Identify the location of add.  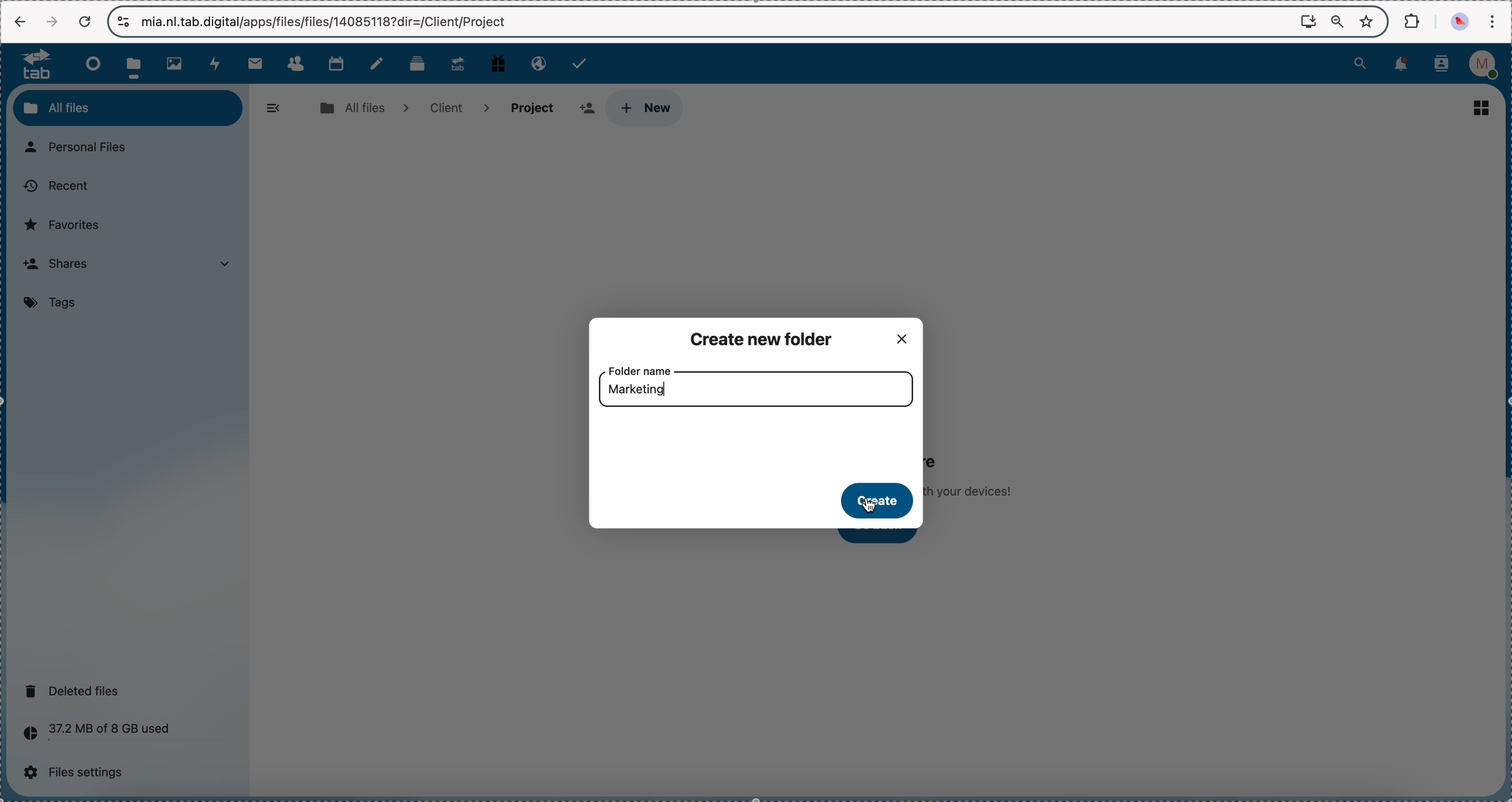
(587, 109).